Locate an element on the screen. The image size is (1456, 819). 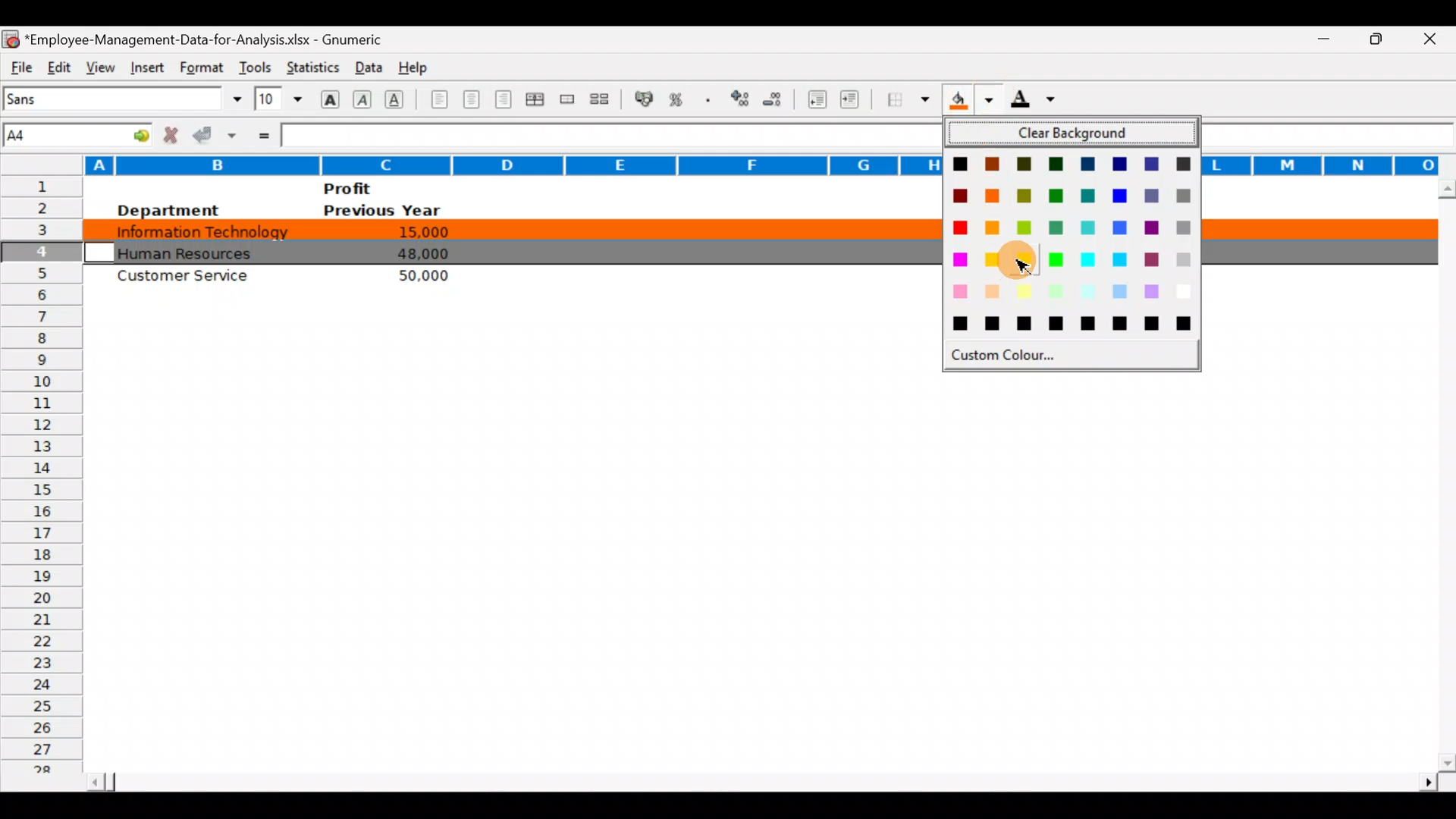
Centre horizontally across the selection is located at coordinates (538, 102).